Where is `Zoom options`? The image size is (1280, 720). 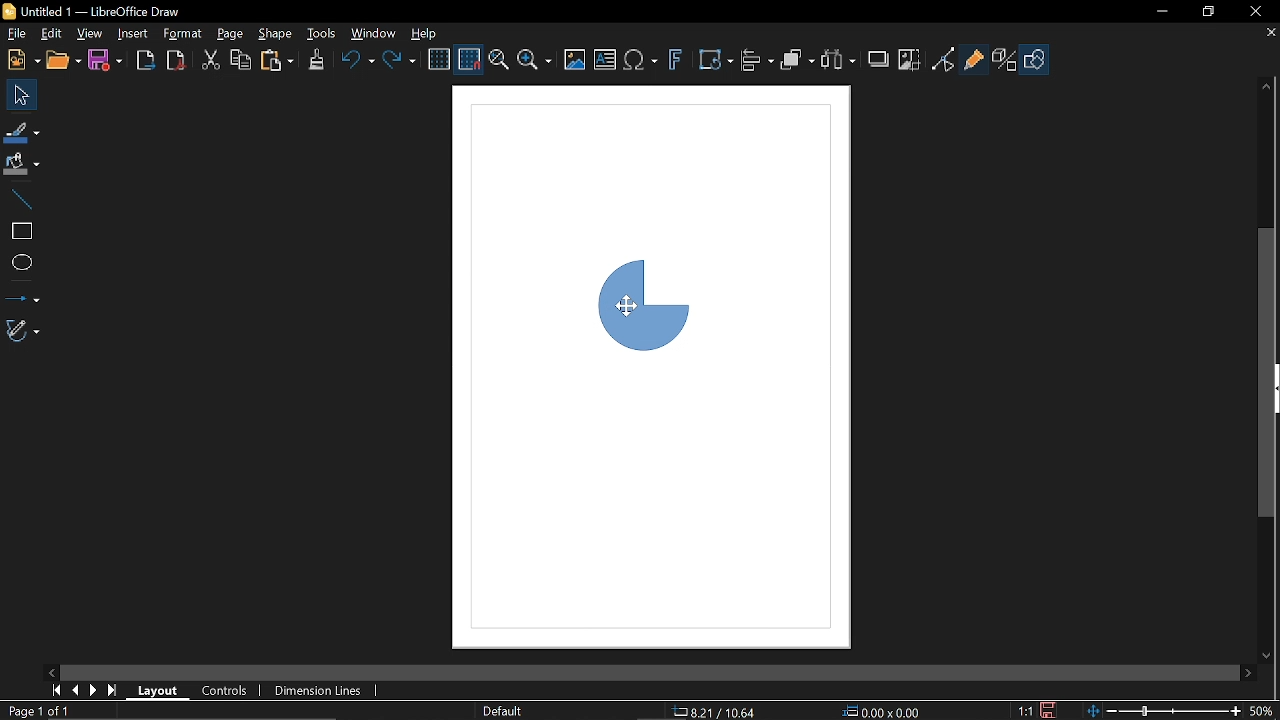
Zoom options is located at coordinates (534, 60).